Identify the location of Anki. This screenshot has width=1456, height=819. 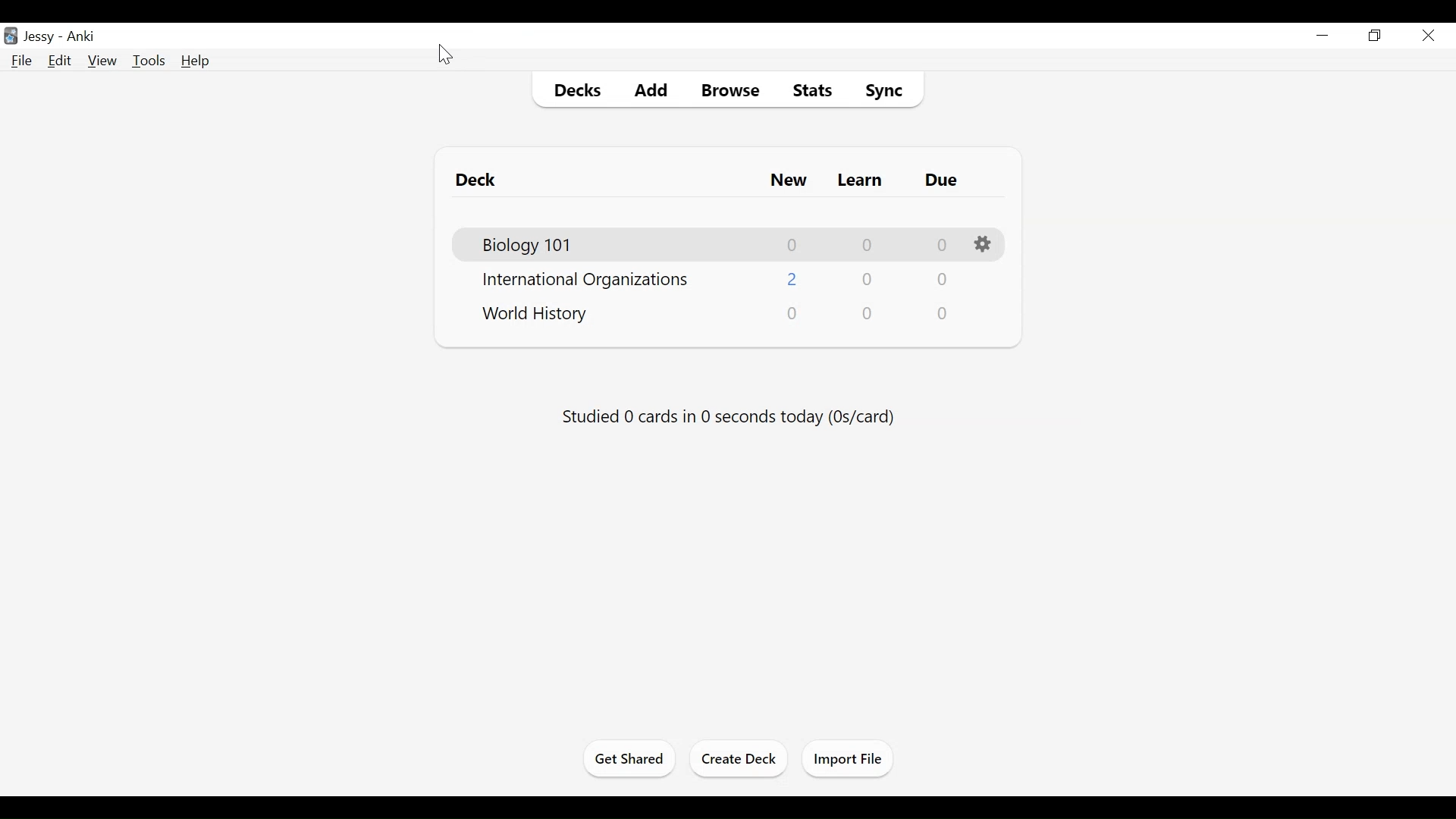
(83, 37).